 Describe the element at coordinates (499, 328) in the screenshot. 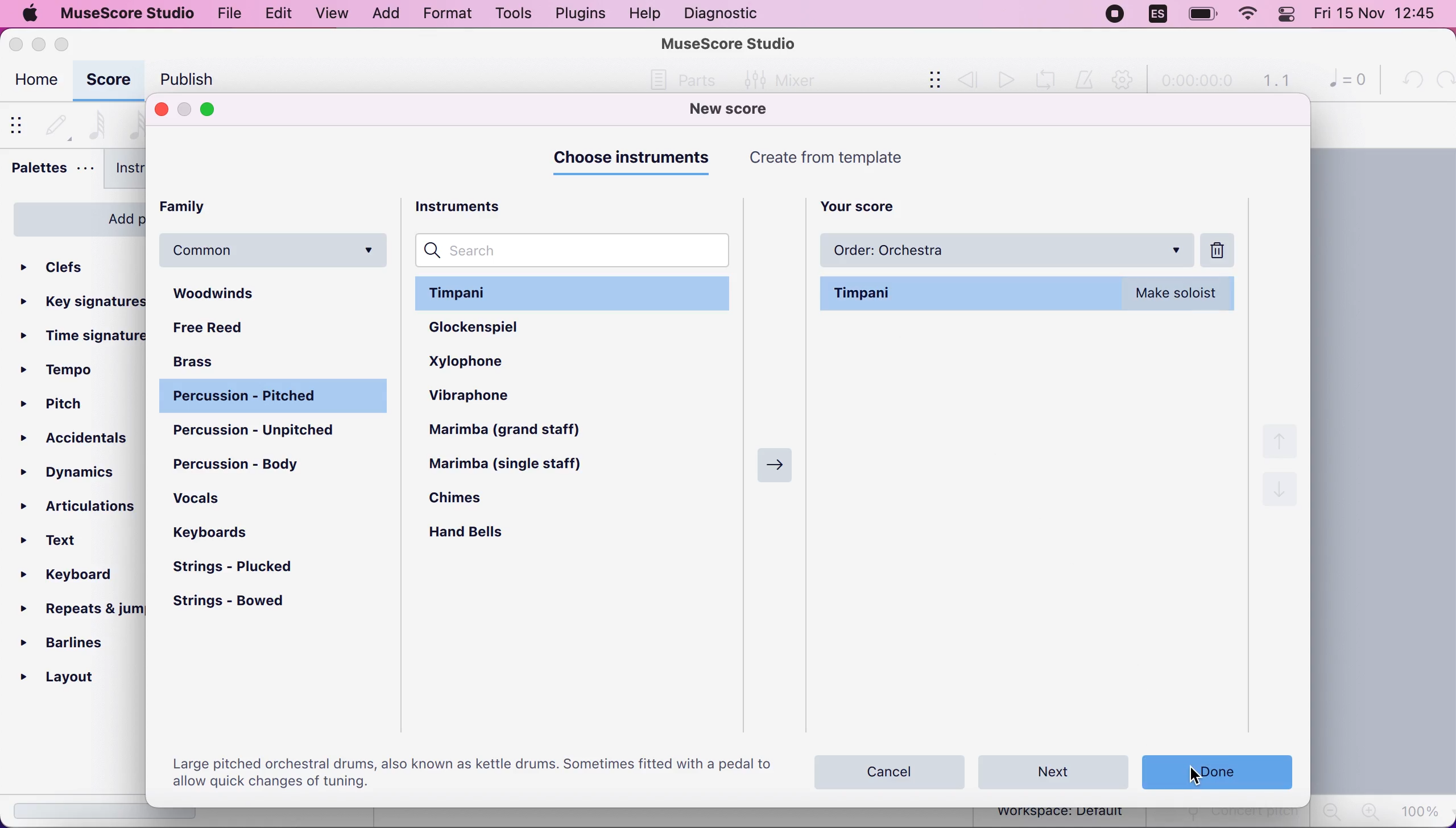

I see `glockenspiel` at that location.